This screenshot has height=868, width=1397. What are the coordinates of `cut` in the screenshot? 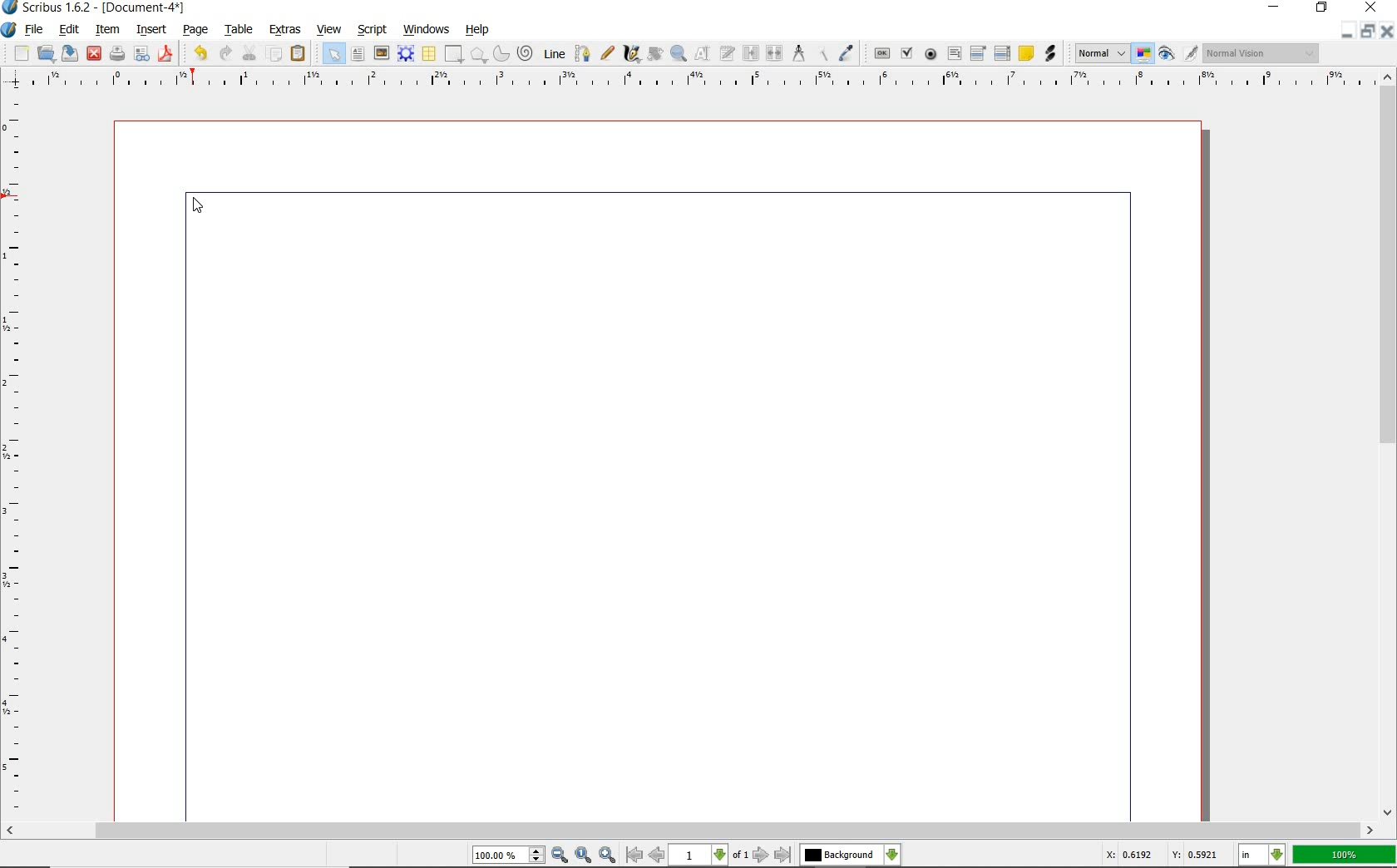 It's located at (250, 52).